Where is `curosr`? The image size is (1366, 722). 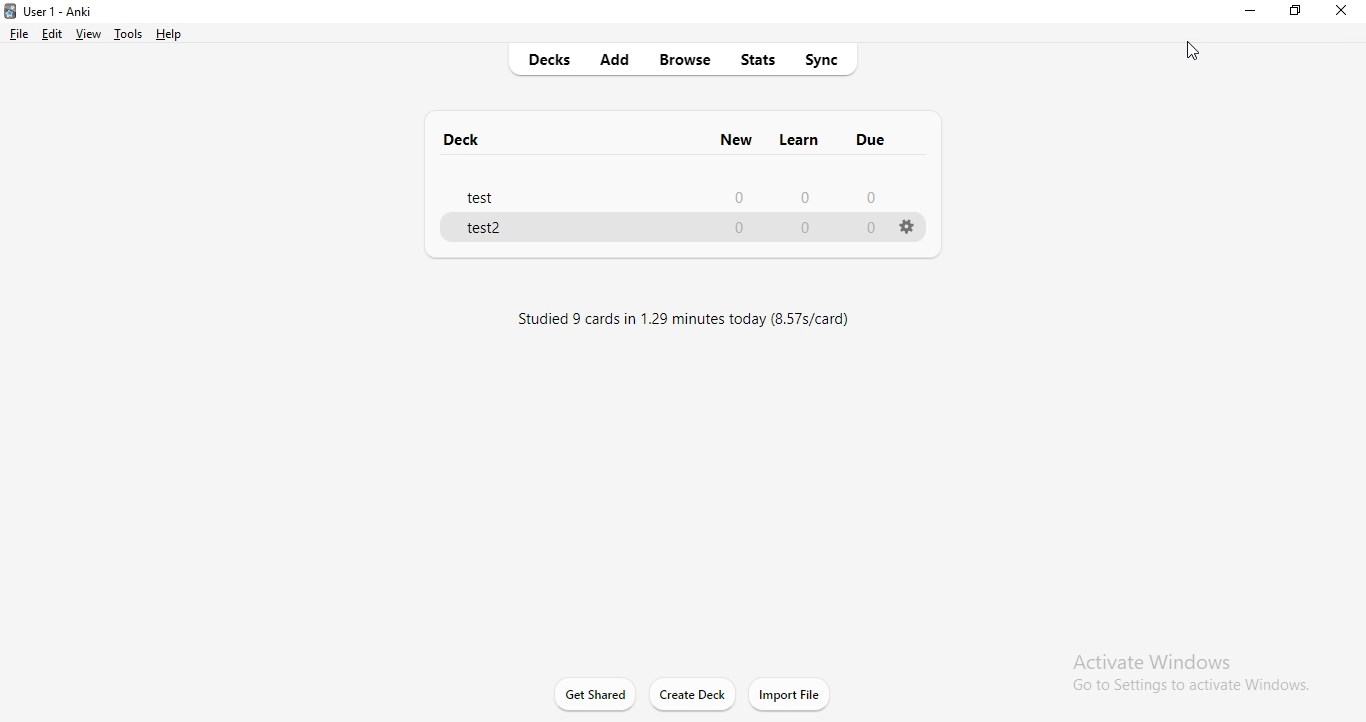 curosr is located at coordinates (1188, 50).